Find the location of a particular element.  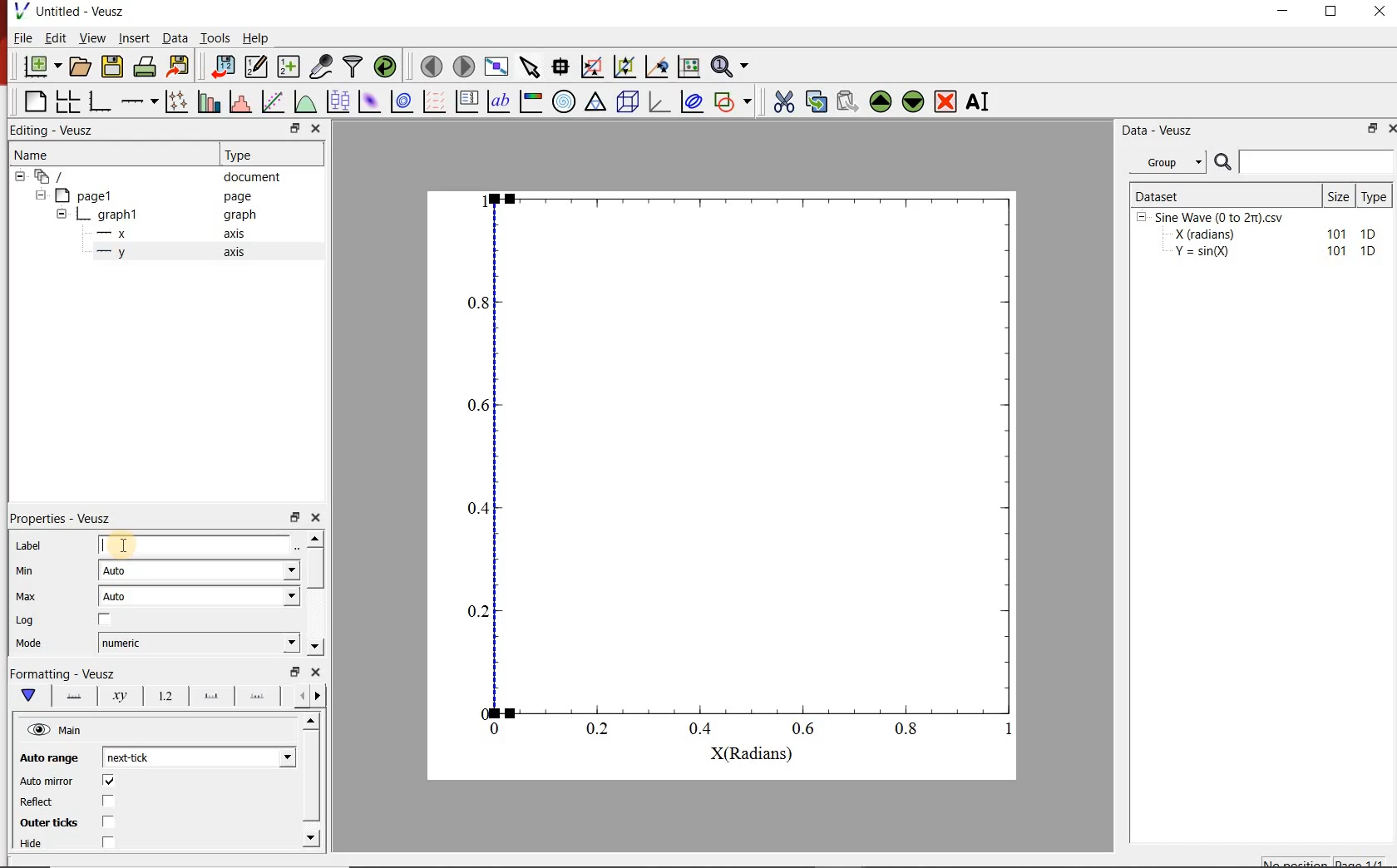

hit a function is located at coordinates (274, 101).